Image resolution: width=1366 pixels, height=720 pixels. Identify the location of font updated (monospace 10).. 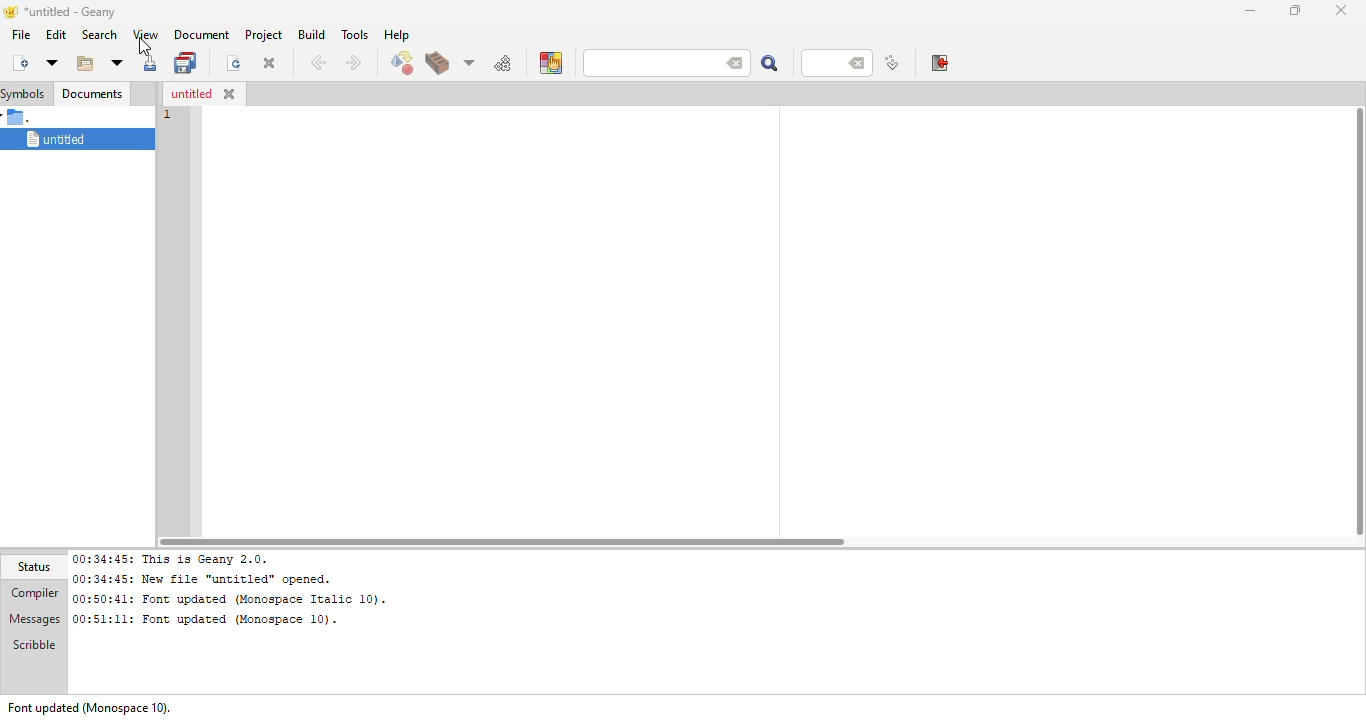
(89, 707).